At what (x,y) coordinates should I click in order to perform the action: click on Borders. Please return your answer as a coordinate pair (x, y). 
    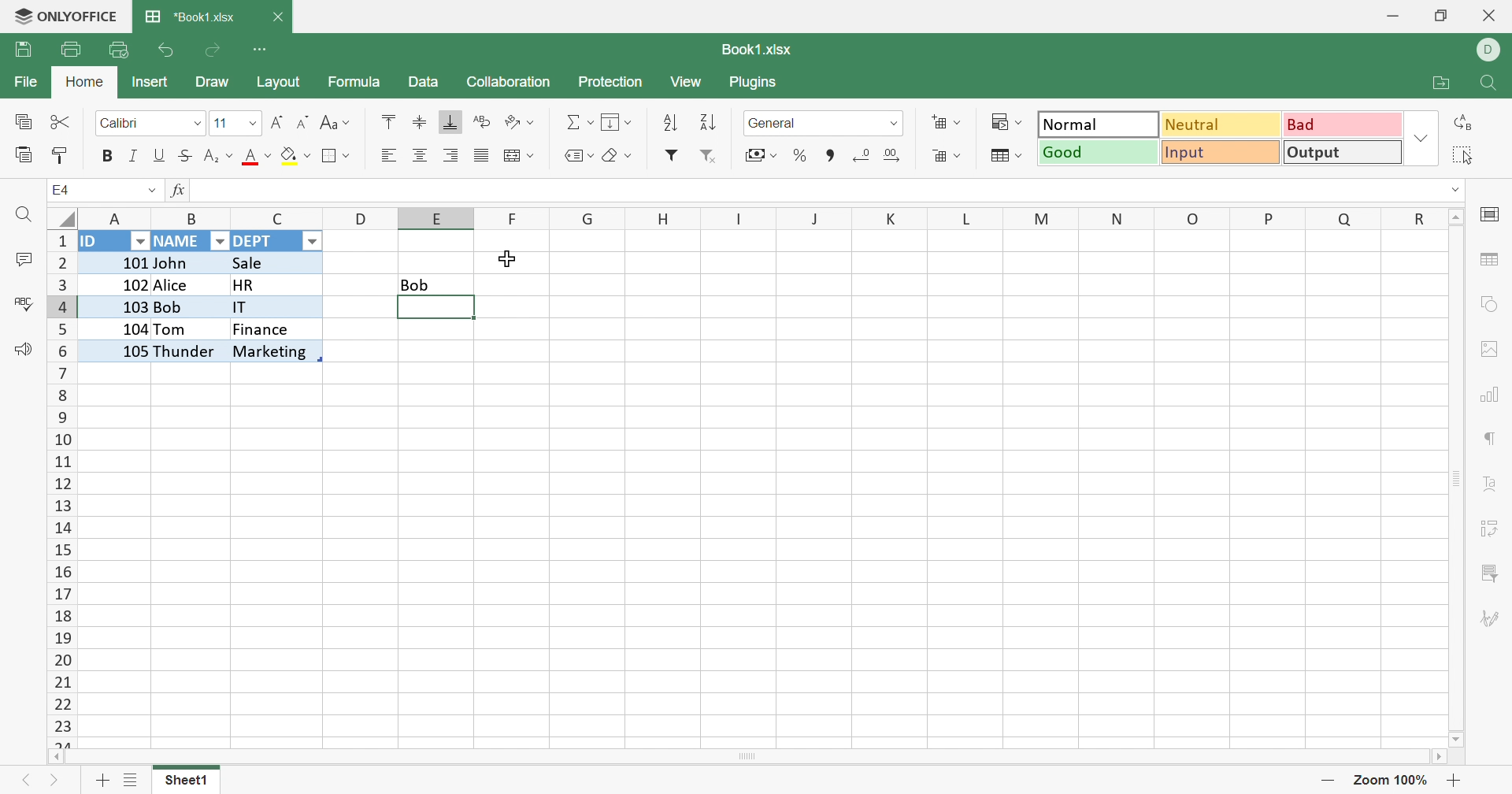
    Looking at the image, I should click on (333, 156).